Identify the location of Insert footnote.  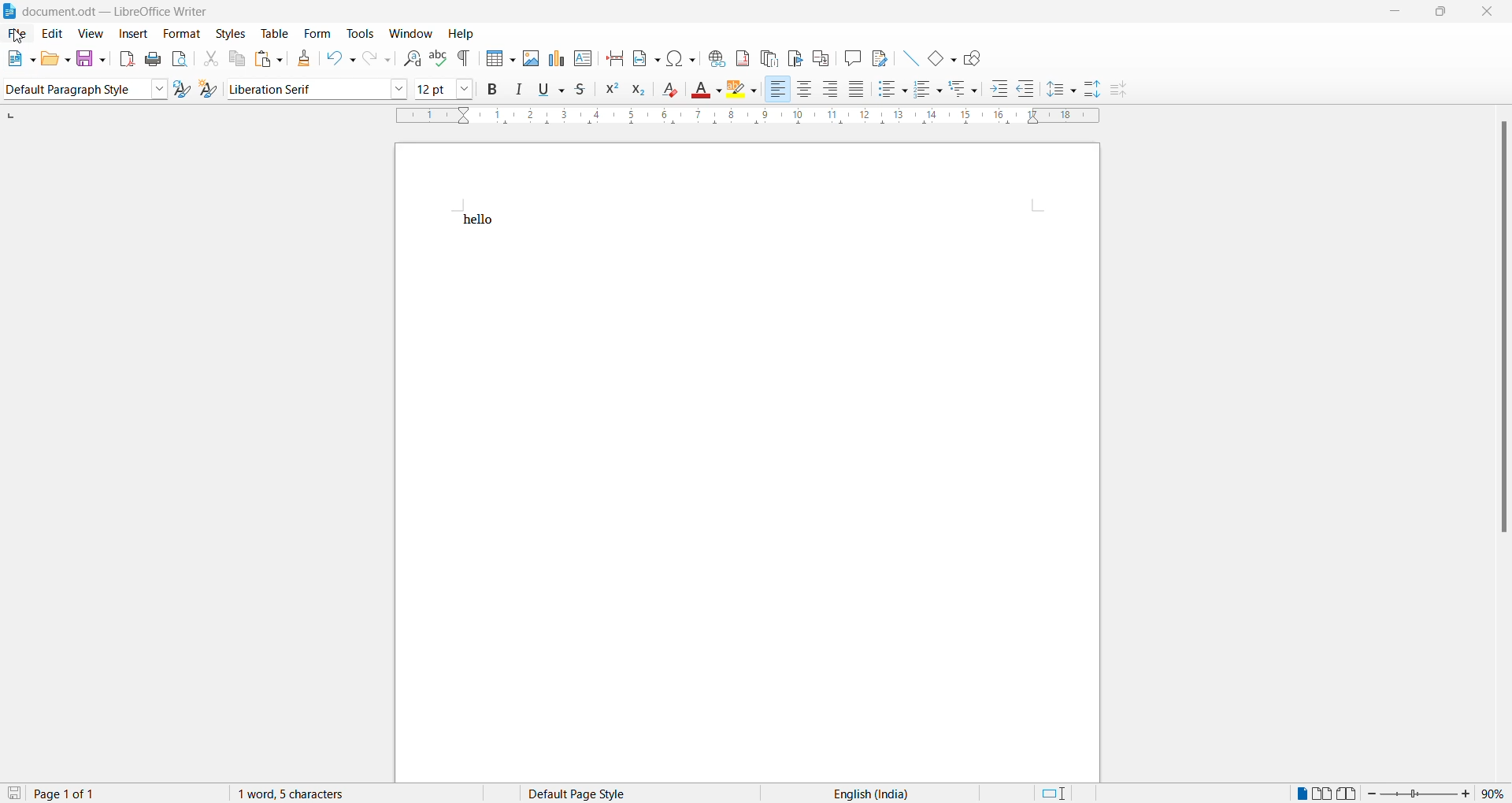
(739, 57).